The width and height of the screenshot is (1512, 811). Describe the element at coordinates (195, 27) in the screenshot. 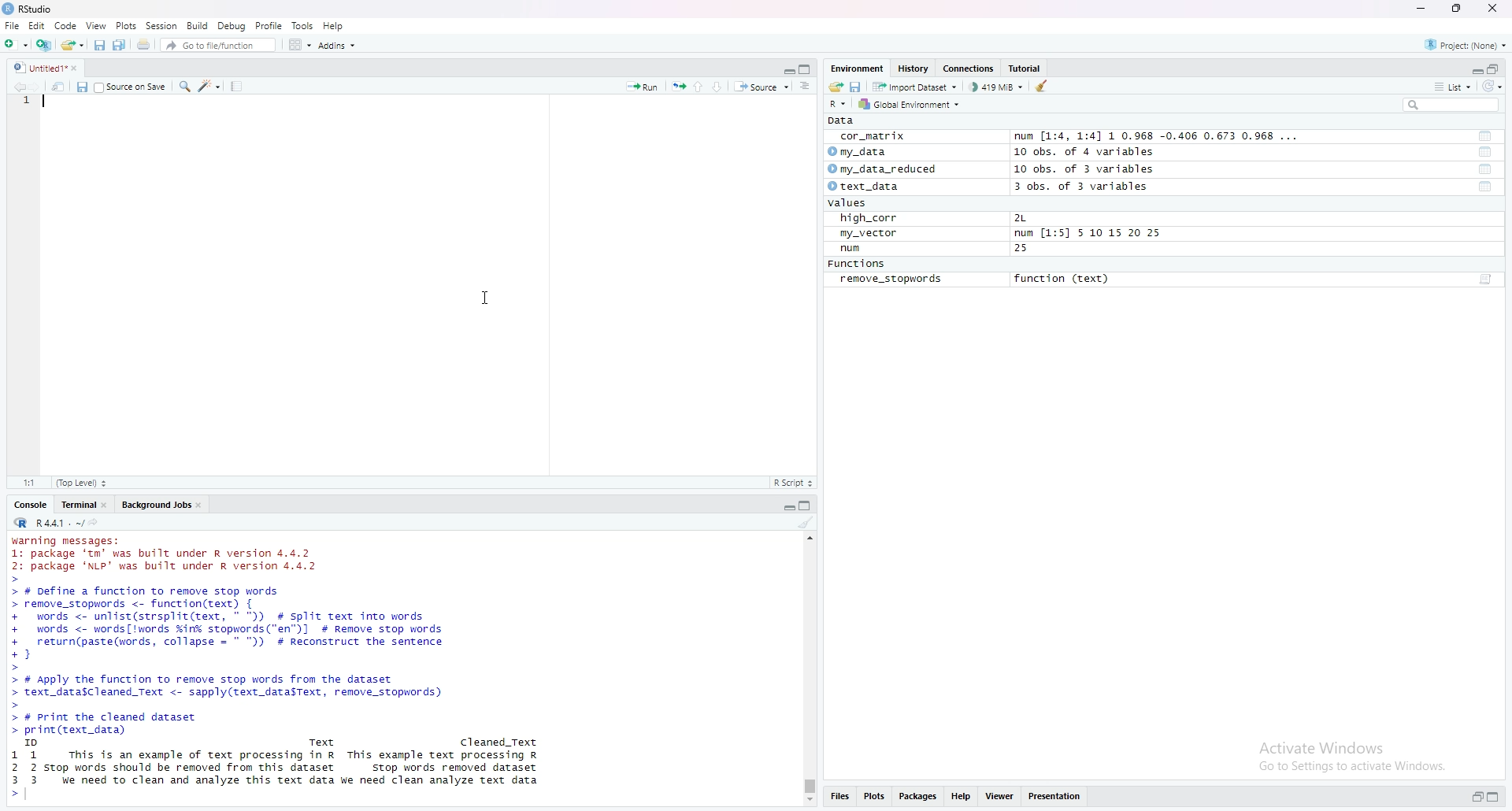

I see `Build` at that location.